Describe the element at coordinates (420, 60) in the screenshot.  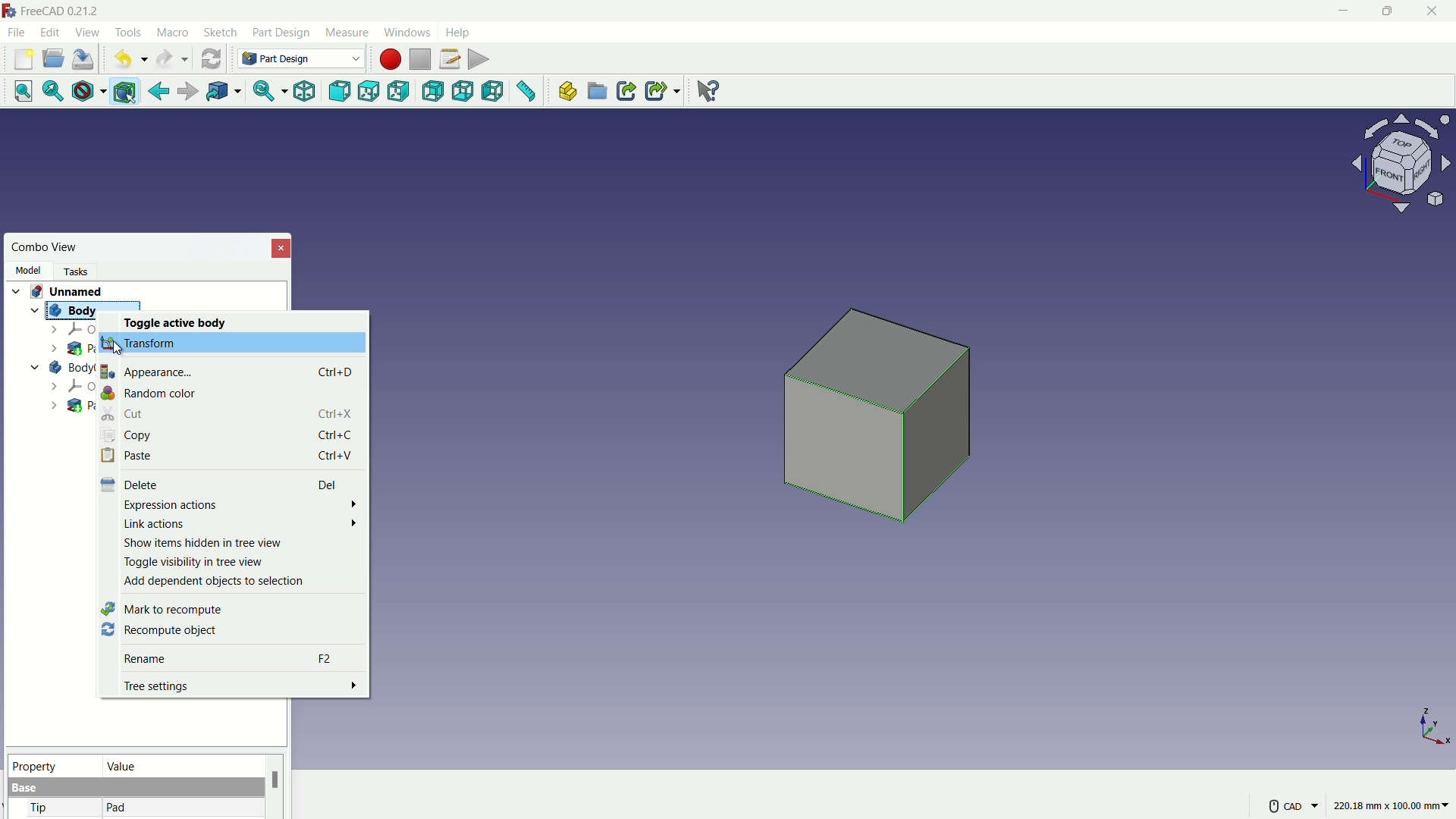
I see `stop macros` at that location.